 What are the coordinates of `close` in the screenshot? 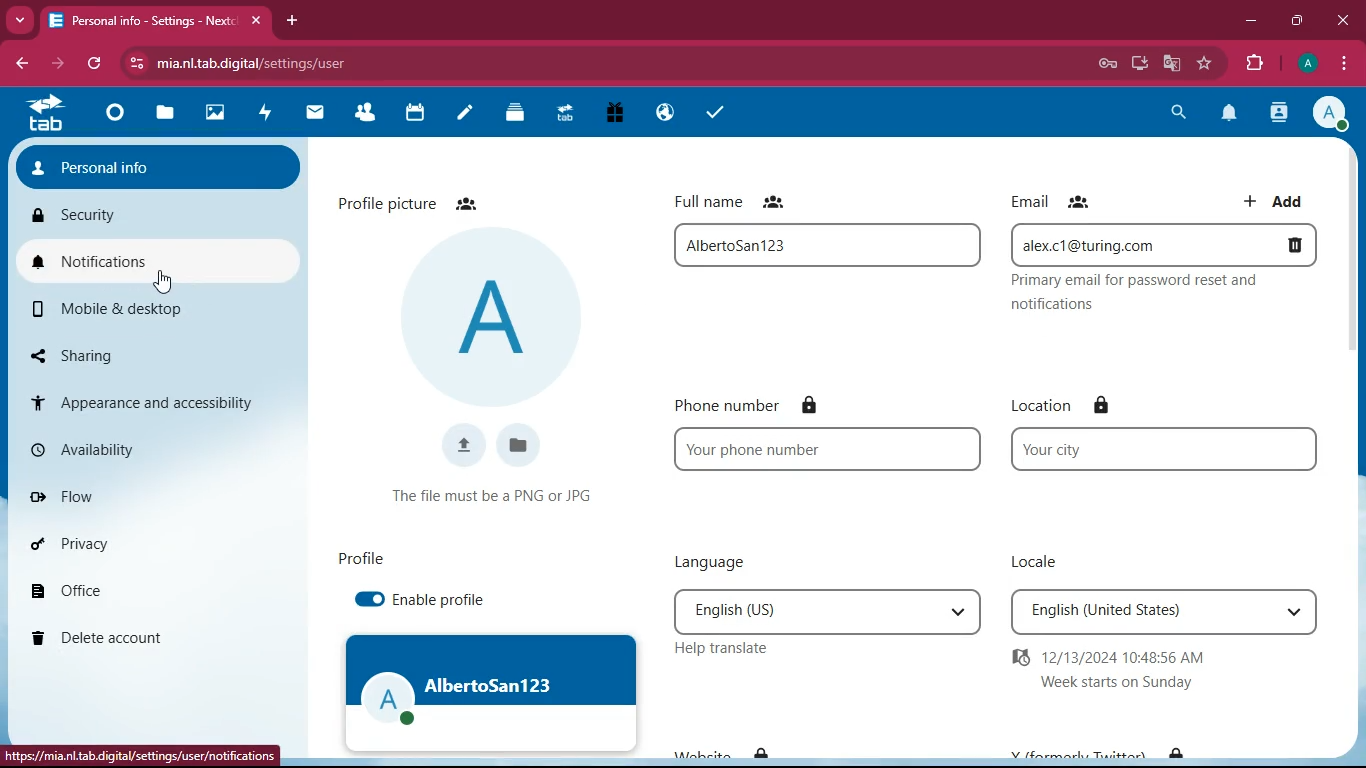 It's located at (1342, 22).